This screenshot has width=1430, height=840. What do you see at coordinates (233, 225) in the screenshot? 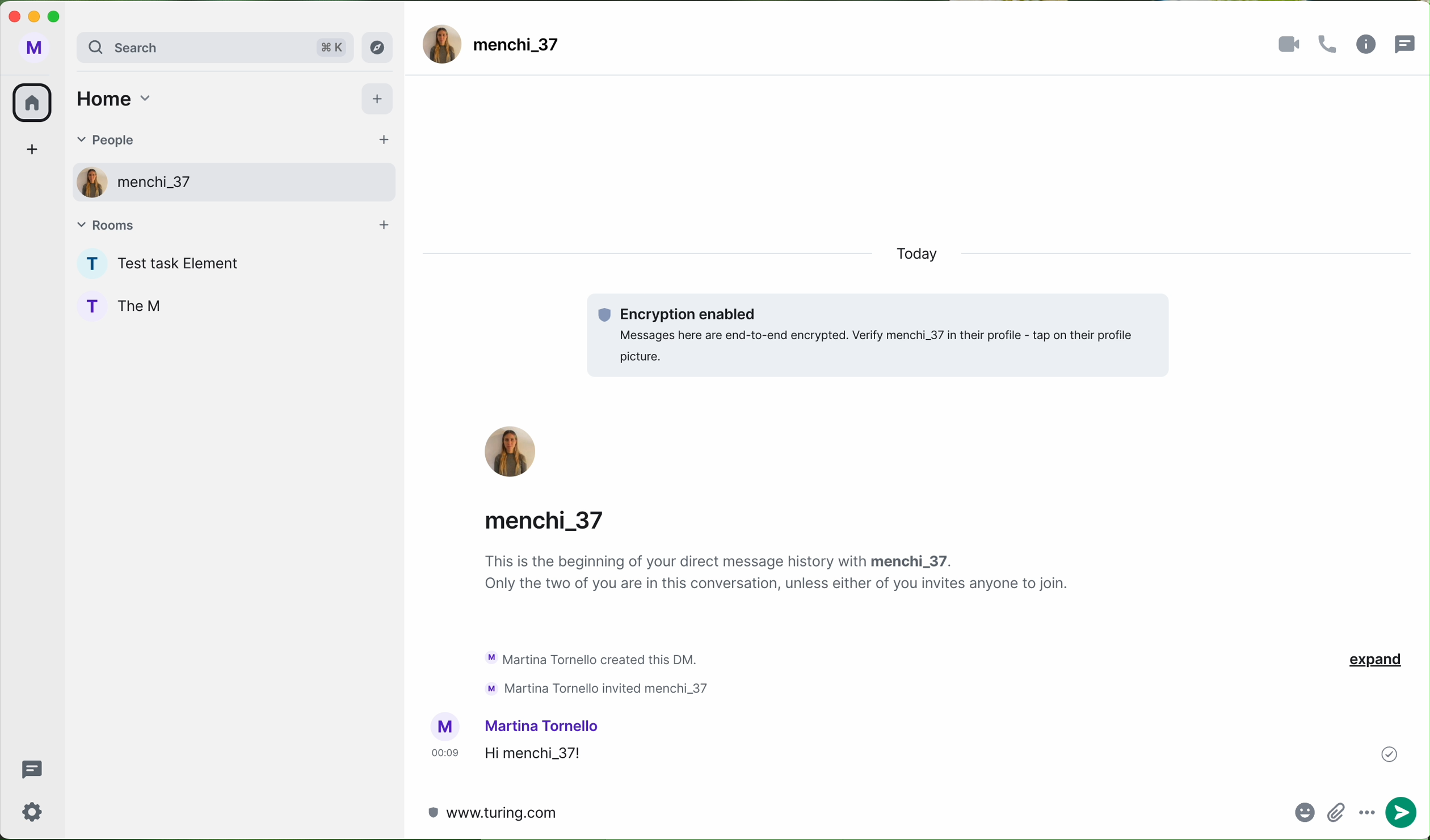
I see `rooms tab` at bounding box center [233, 225].